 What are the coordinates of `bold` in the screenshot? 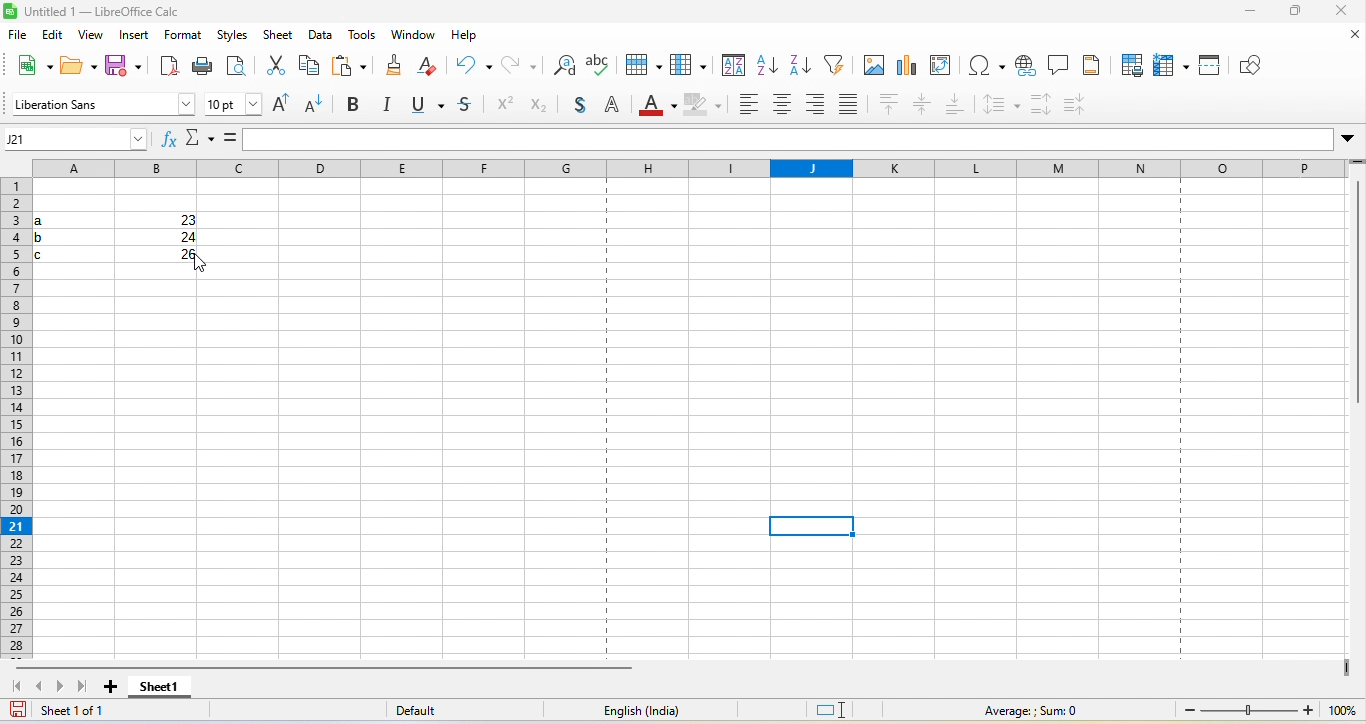 It's located at (358, 105).